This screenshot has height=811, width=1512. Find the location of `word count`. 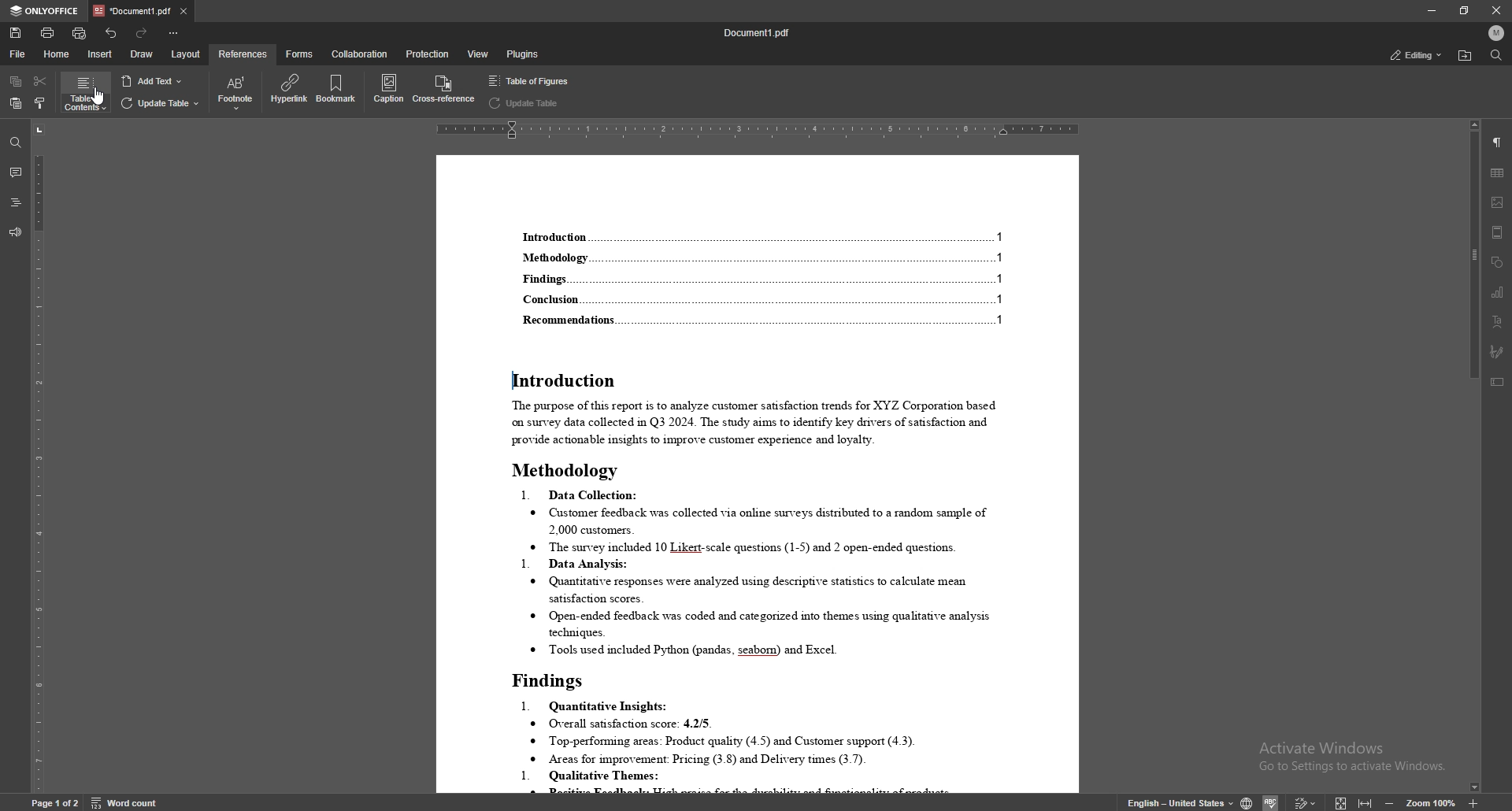

word count is located at coordinates (125, 802).